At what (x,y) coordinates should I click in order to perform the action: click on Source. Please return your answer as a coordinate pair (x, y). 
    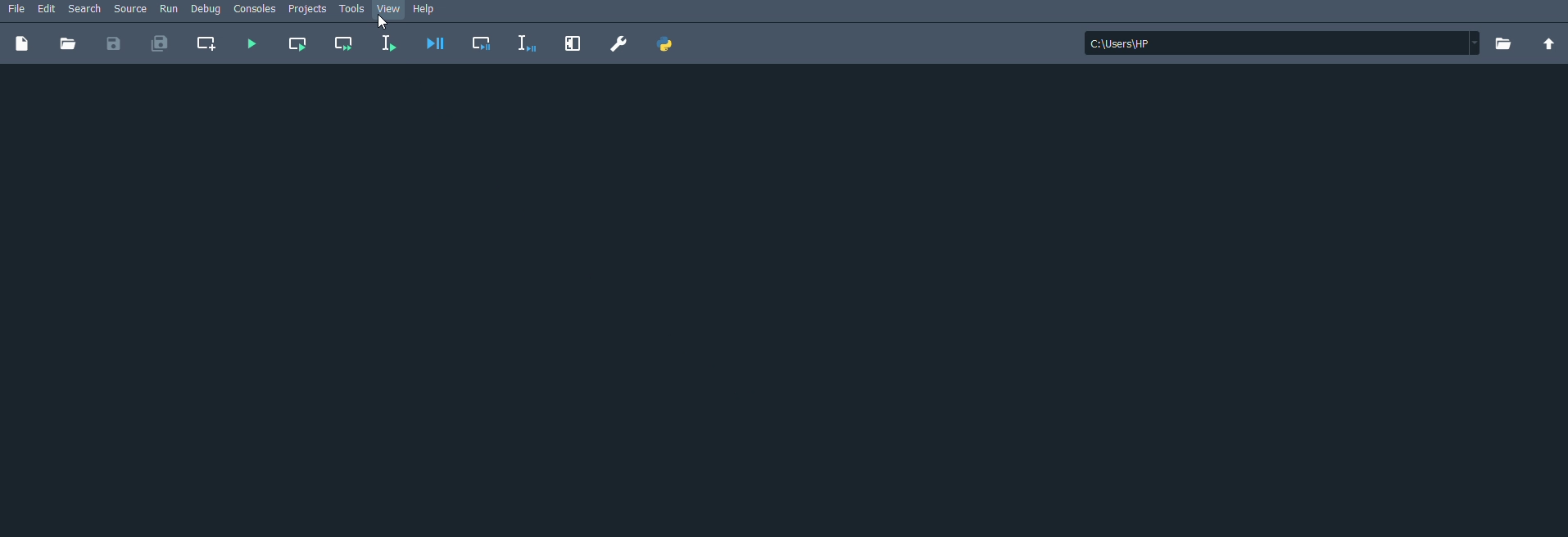
    Looking at the image, I should click on (131, 10).